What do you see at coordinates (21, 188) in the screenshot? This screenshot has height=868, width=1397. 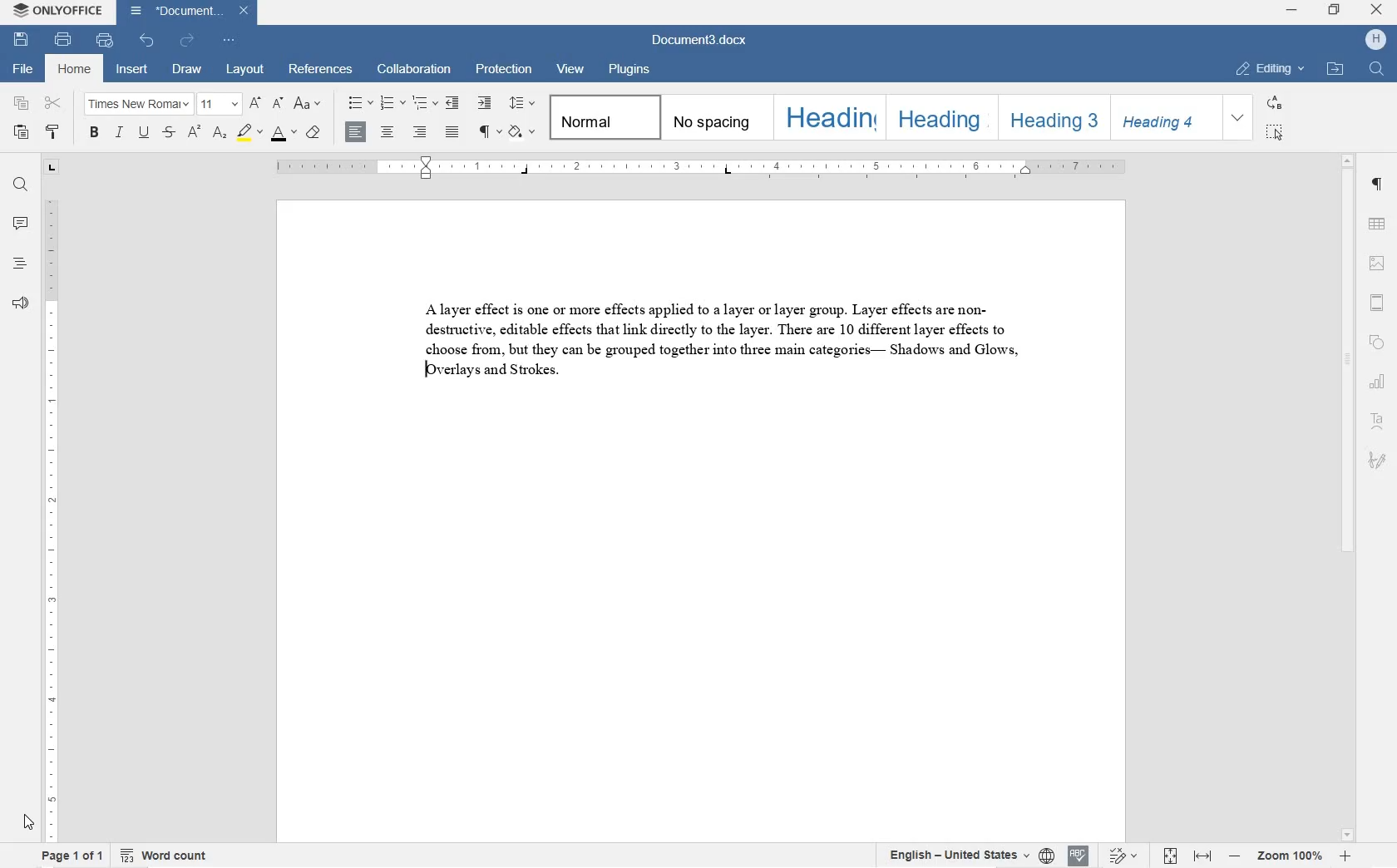 I see `find` at bounding box center [21, 188].